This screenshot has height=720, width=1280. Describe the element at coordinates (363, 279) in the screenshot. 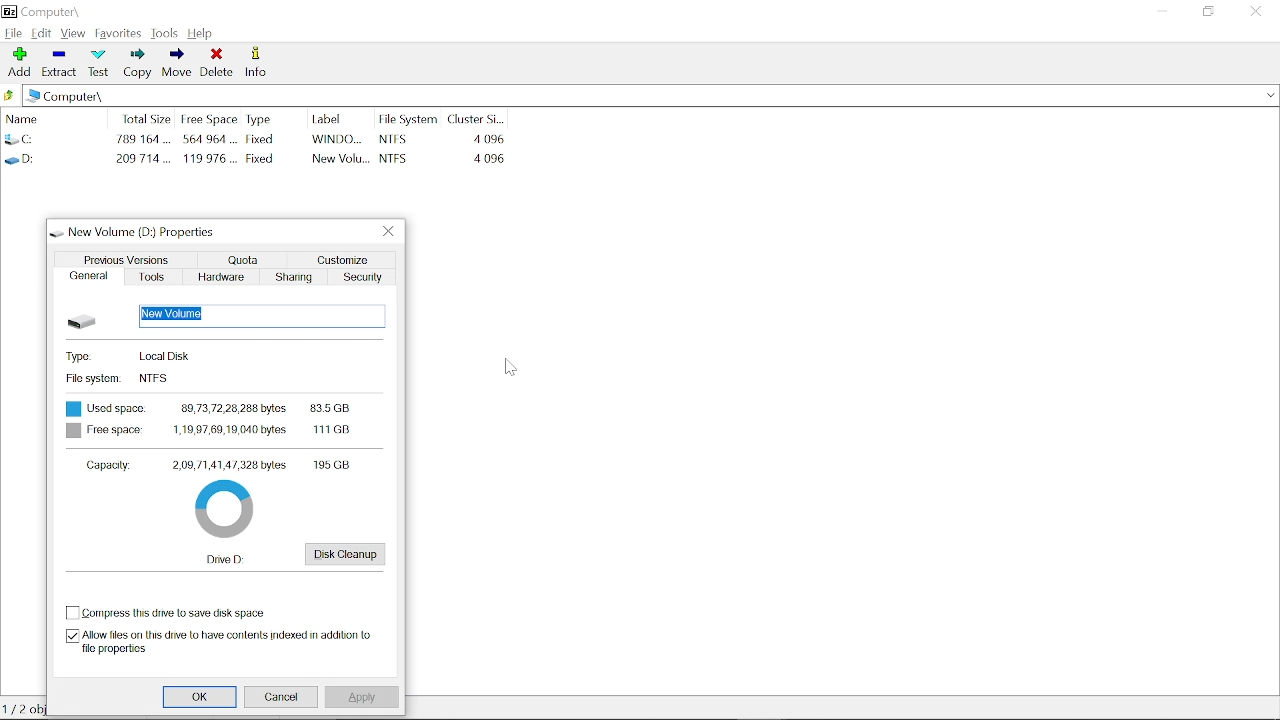

I see `security` at that location.